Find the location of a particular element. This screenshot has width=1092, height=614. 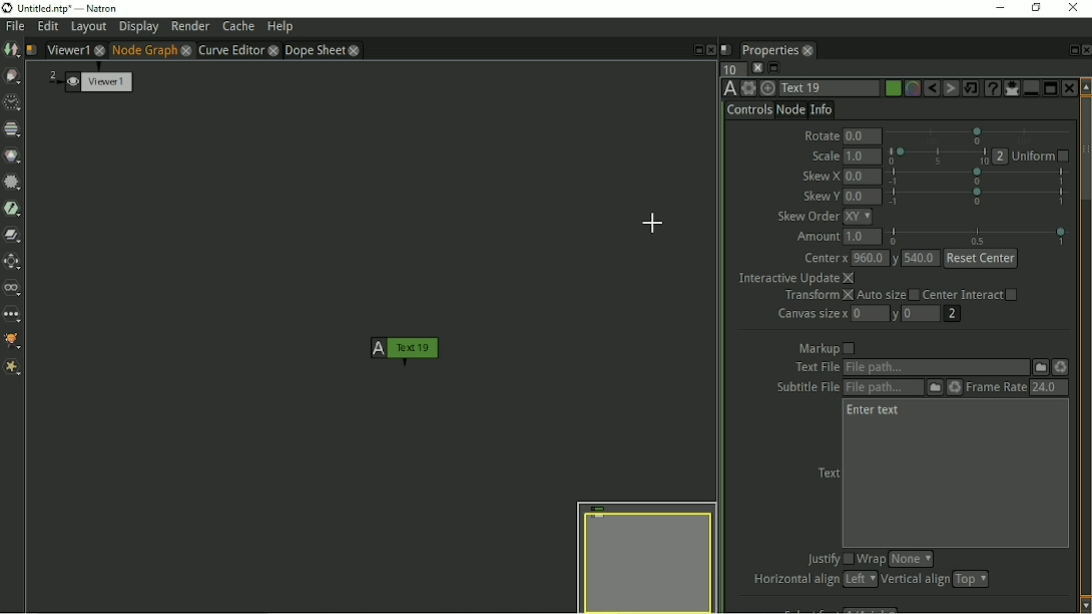

Viewer1 is located at coordinates (69, 48).